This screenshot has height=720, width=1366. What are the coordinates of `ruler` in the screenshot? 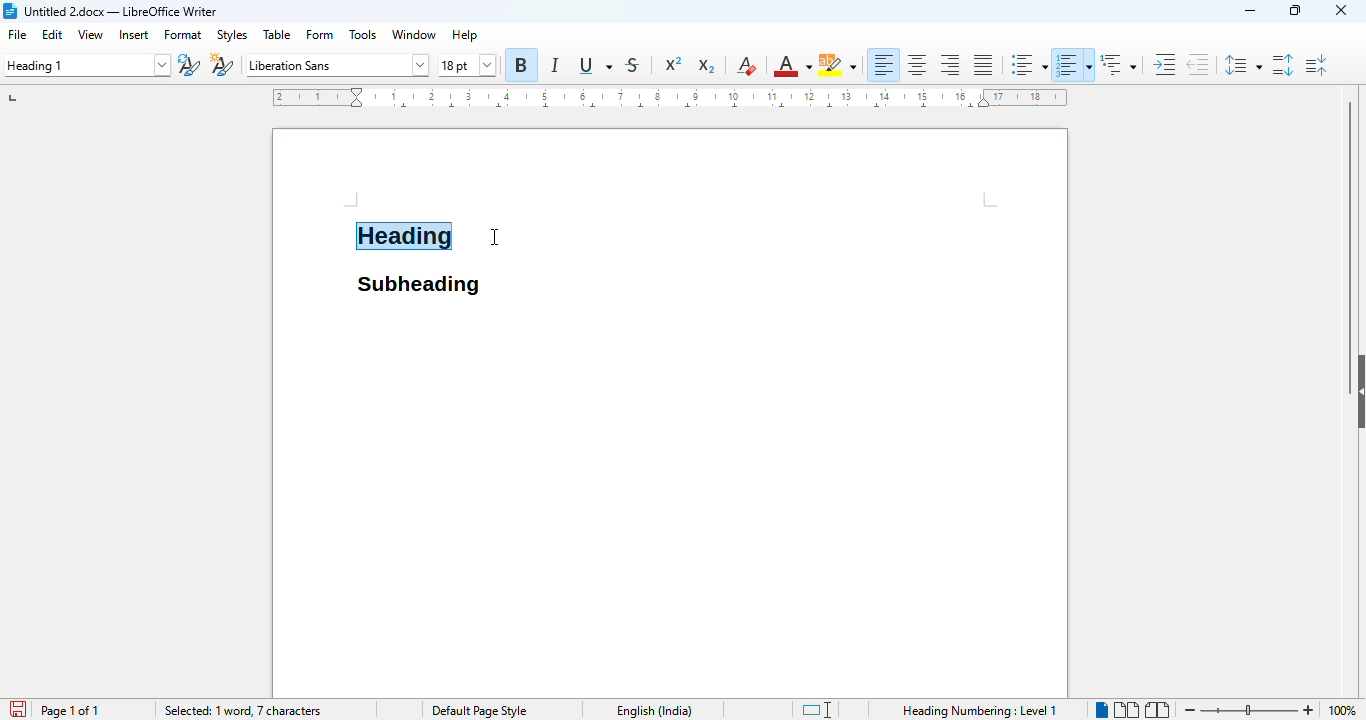 It's located at (668, 97).